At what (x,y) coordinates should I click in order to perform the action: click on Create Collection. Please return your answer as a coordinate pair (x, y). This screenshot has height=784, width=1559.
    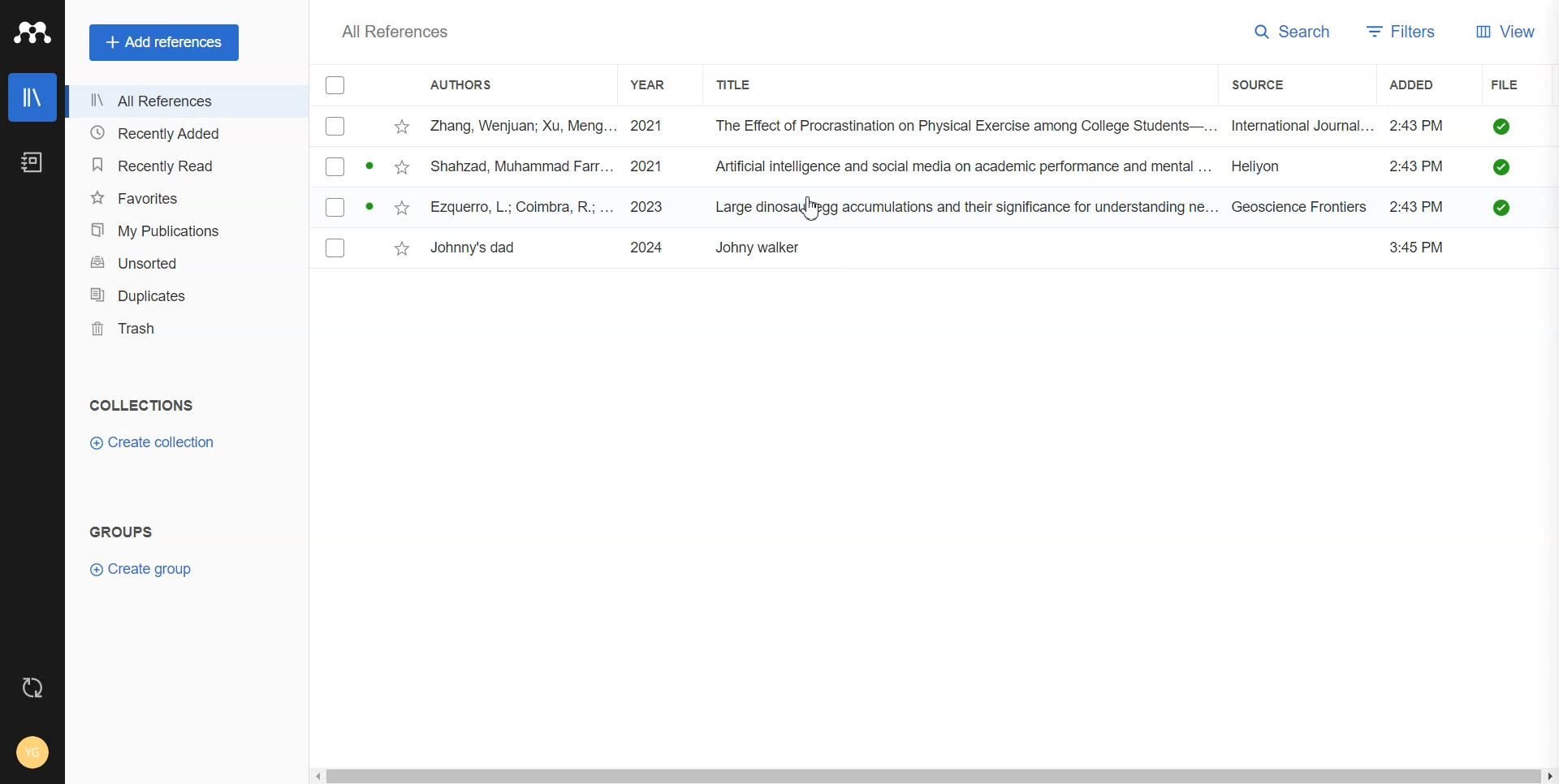
    Looking at the image, I should click on (154, 442).